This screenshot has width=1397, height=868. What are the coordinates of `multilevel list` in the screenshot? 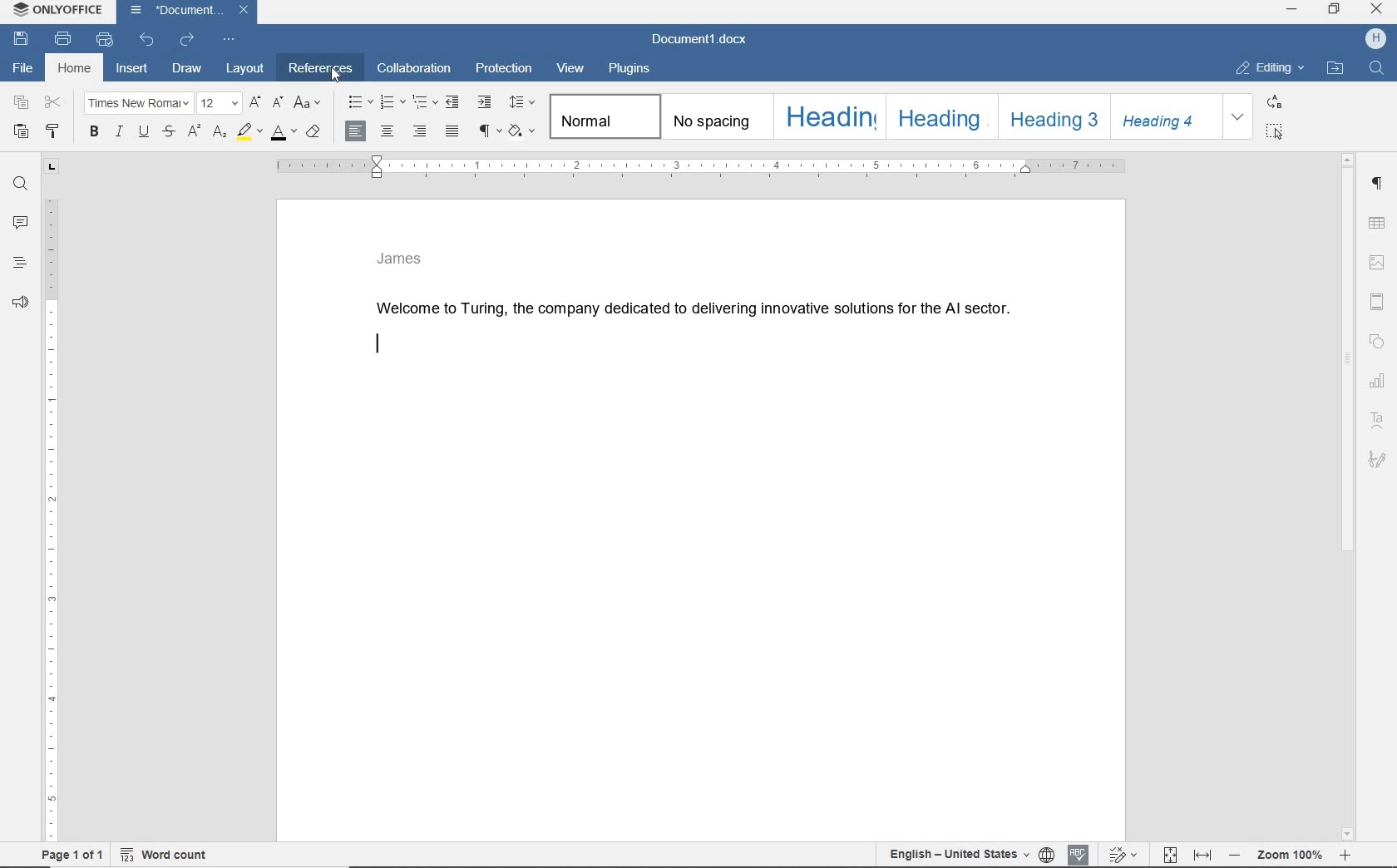 It's located at (423, 104).